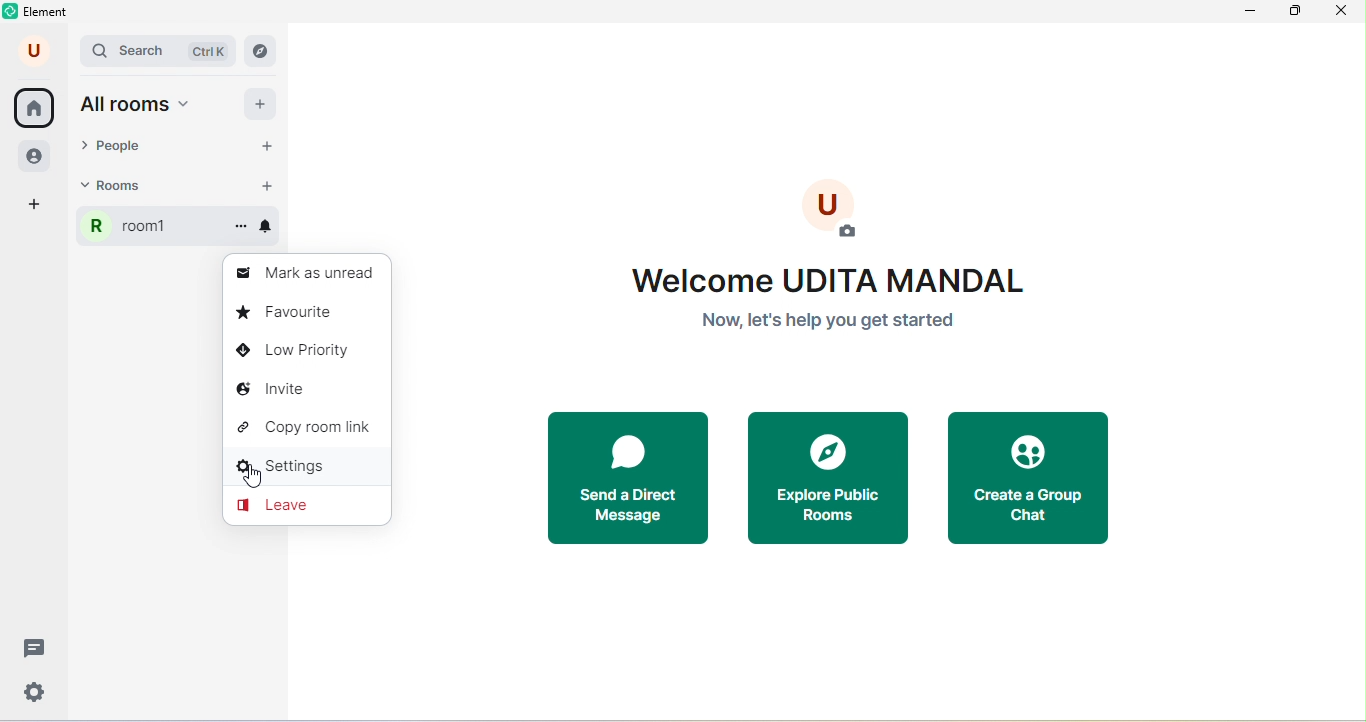 Image resolution: width=1366 pixels, height=722 pixels. What do you see at coordinates (266, 476) in the screenshot?
I see `cursor movement` at bounding box center [266, 476].